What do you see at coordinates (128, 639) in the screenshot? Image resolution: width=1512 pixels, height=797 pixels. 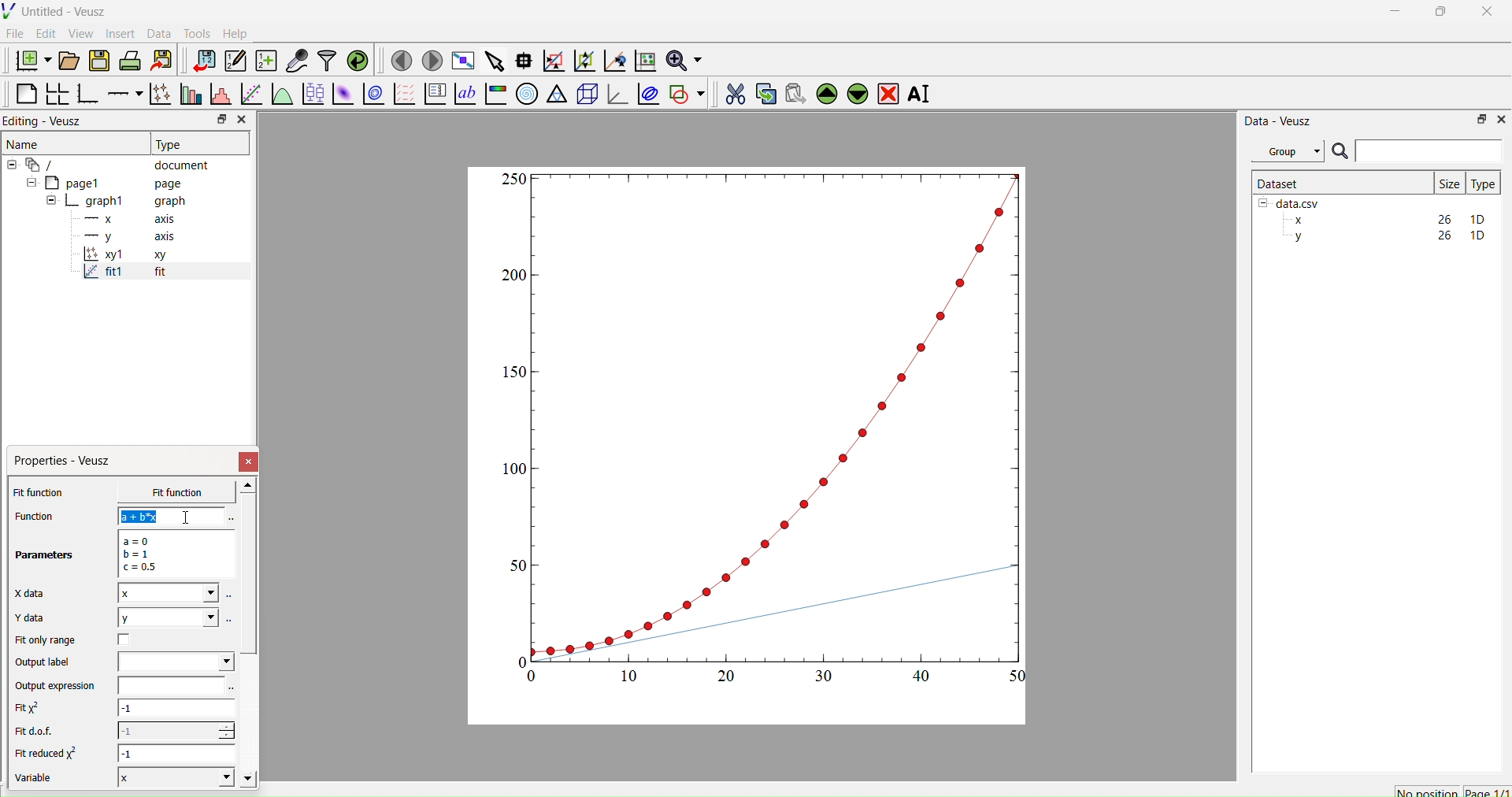 I see `Checkbox` at bounding box center [128, 639].